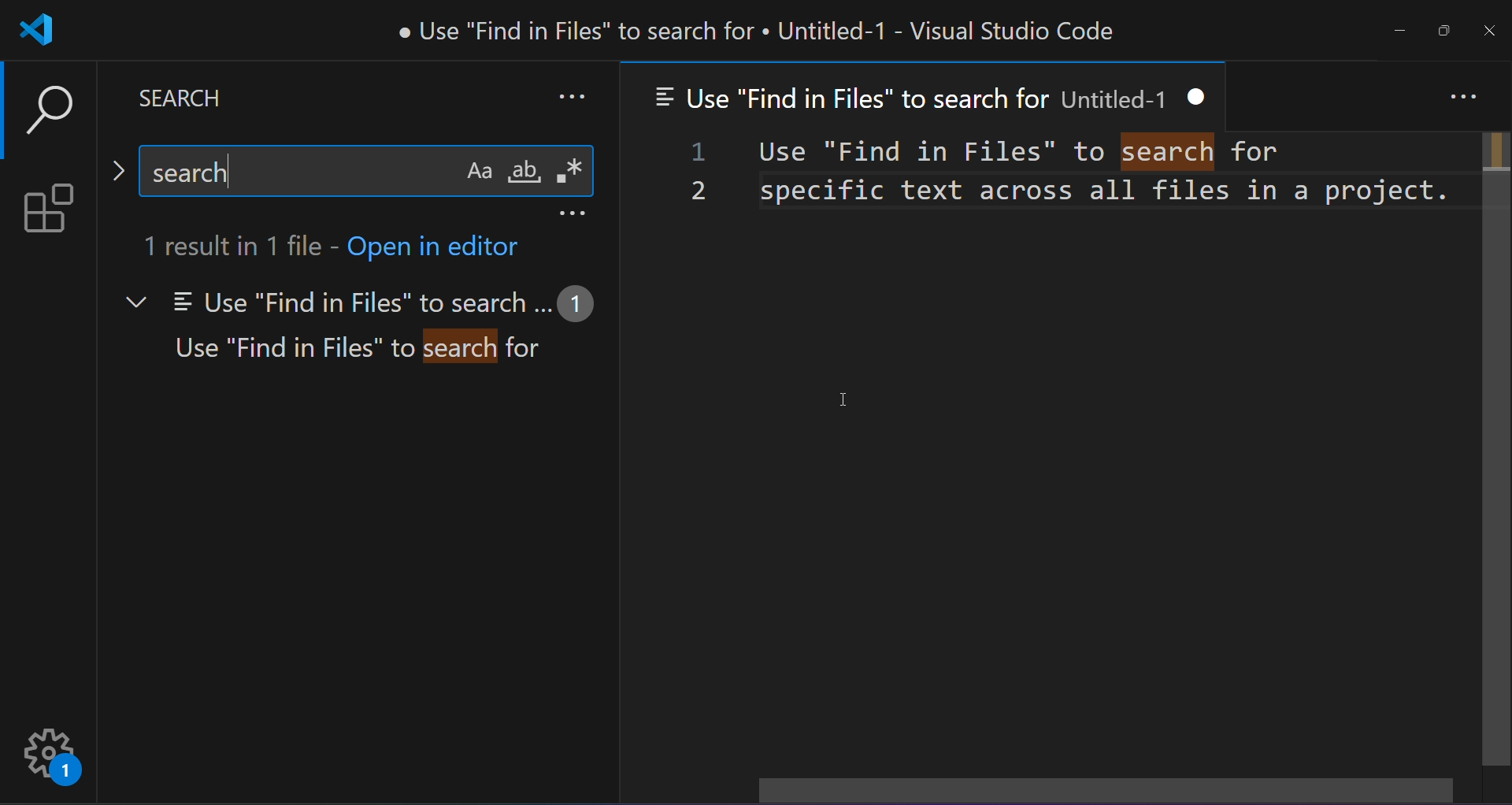  What do you see at coordinates (201, 170) in the screenshot?
I see `search` at bounding box center [201, 170].